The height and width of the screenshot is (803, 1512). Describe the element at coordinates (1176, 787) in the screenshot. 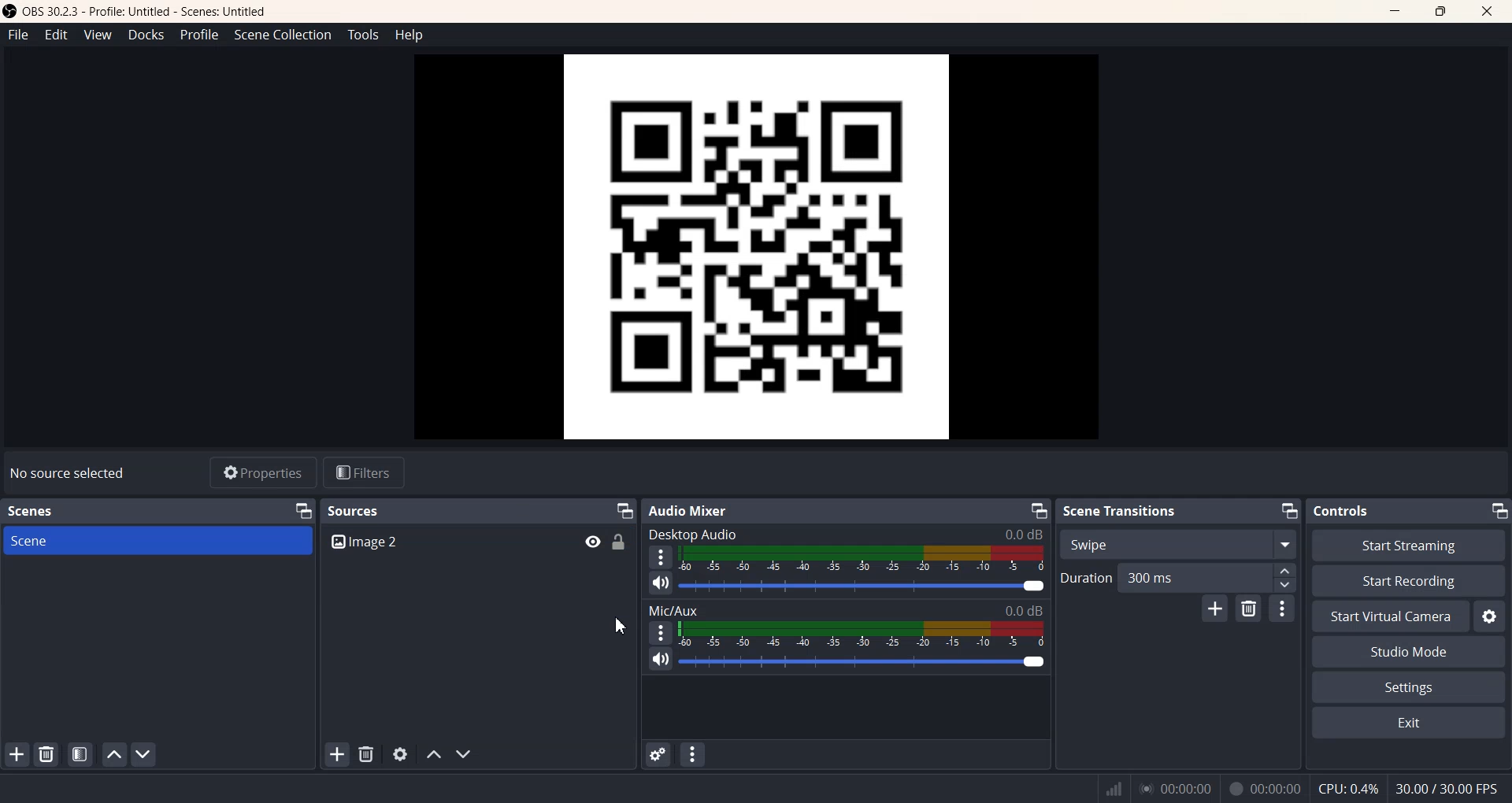

I see `00.00.00` at that location.